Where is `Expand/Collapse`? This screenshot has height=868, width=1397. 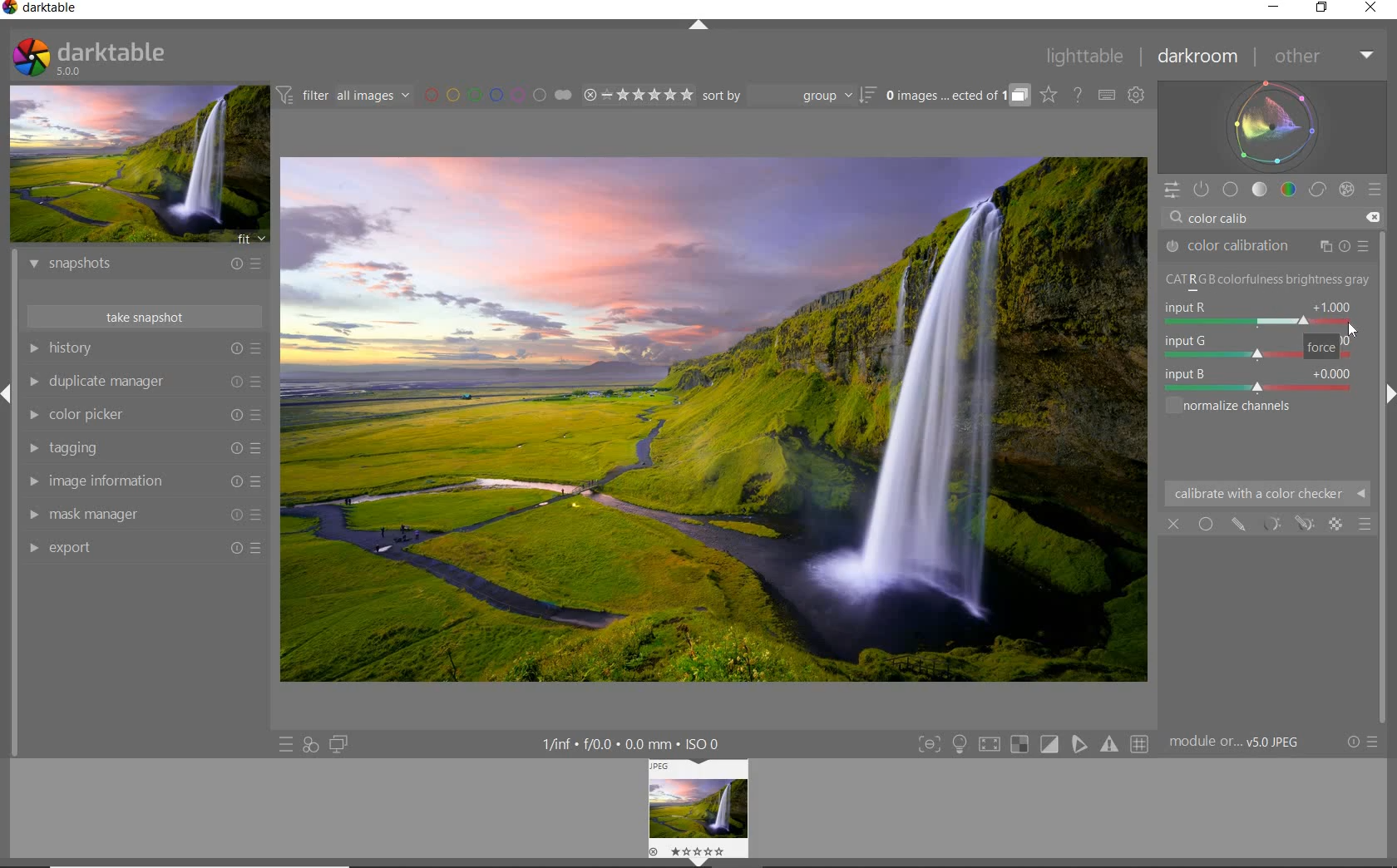
Expand/Collapse is located at coordinates (697, 861).